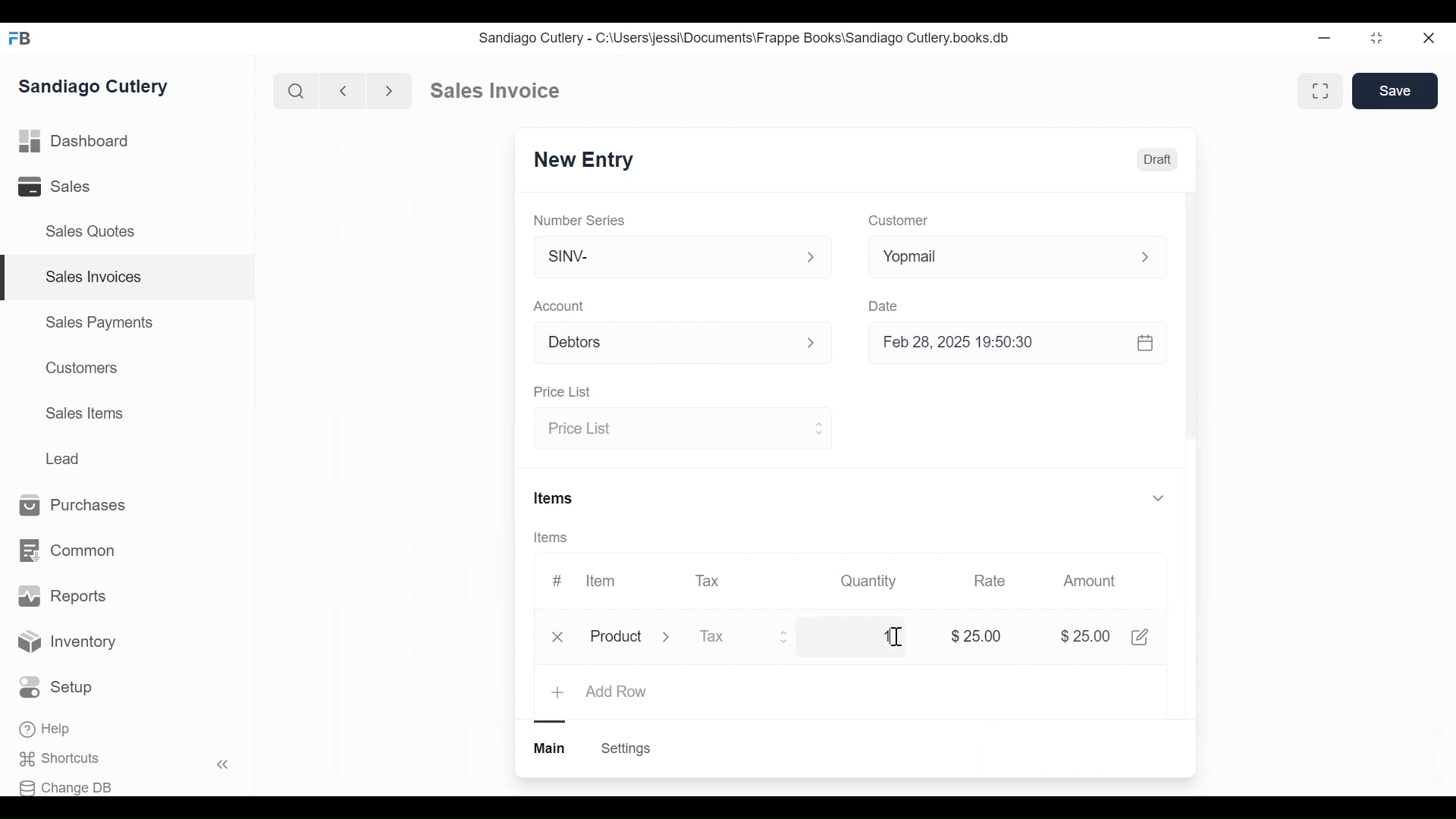  I want to click on Purchases, so click(80, 506).